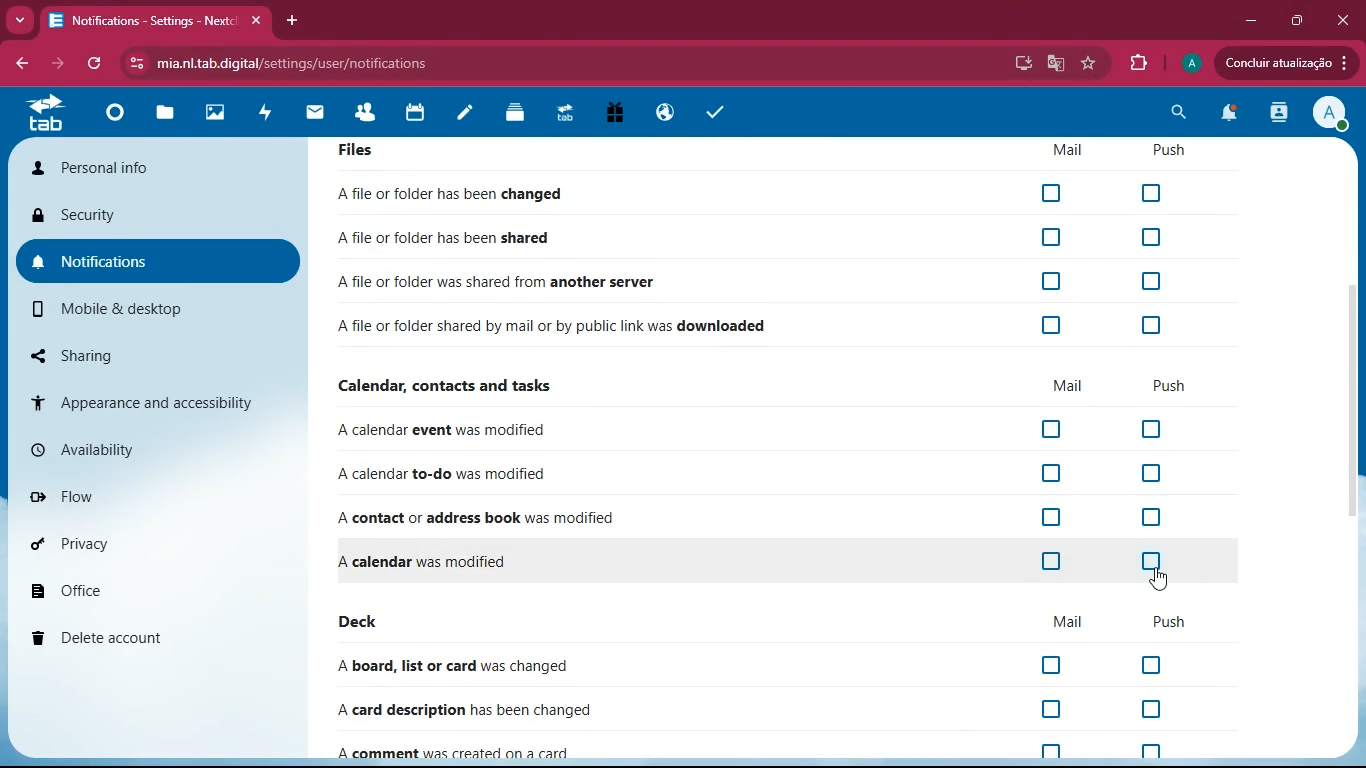 Image resolution: width=1366 pixels, height=768 pixels. I want to click on contact, so click(540, 513).